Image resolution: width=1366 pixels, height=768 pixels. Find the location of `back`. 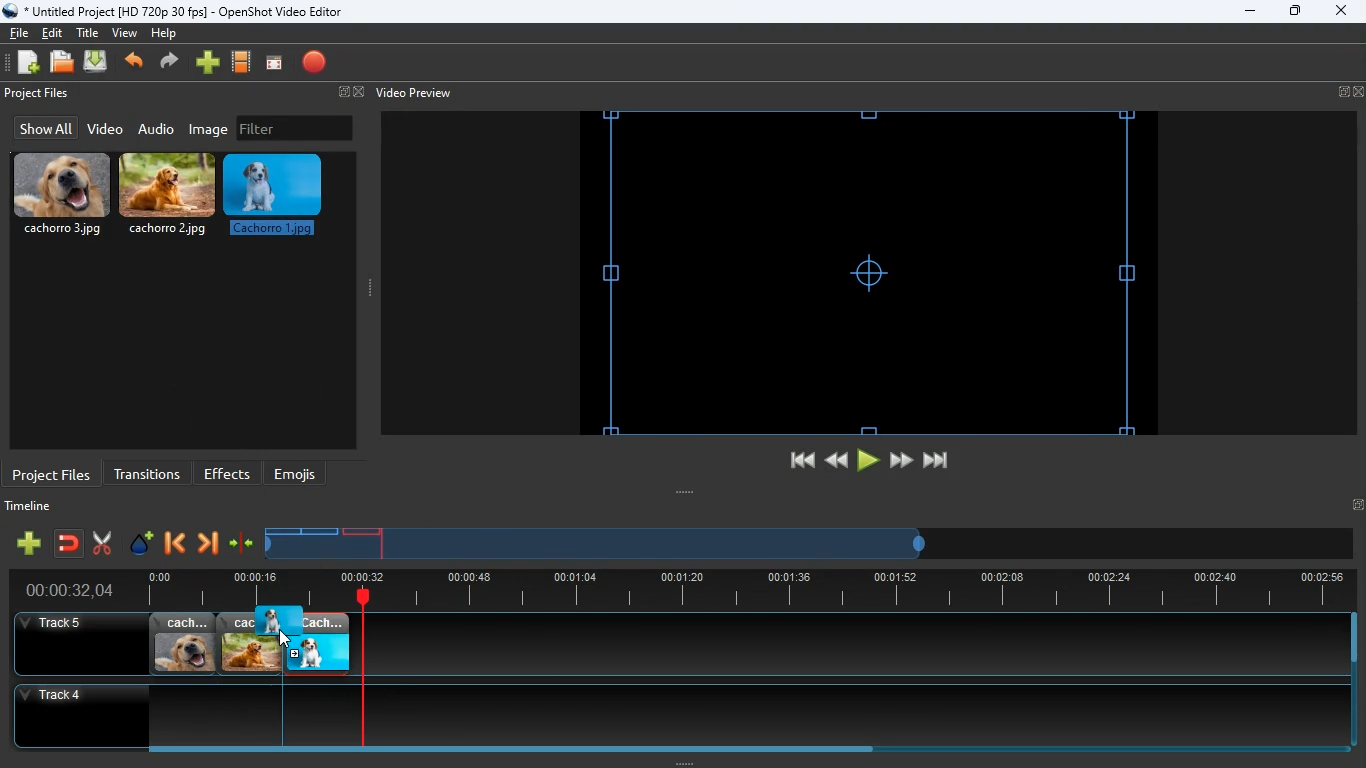

back is located at coordinates (136, 63).